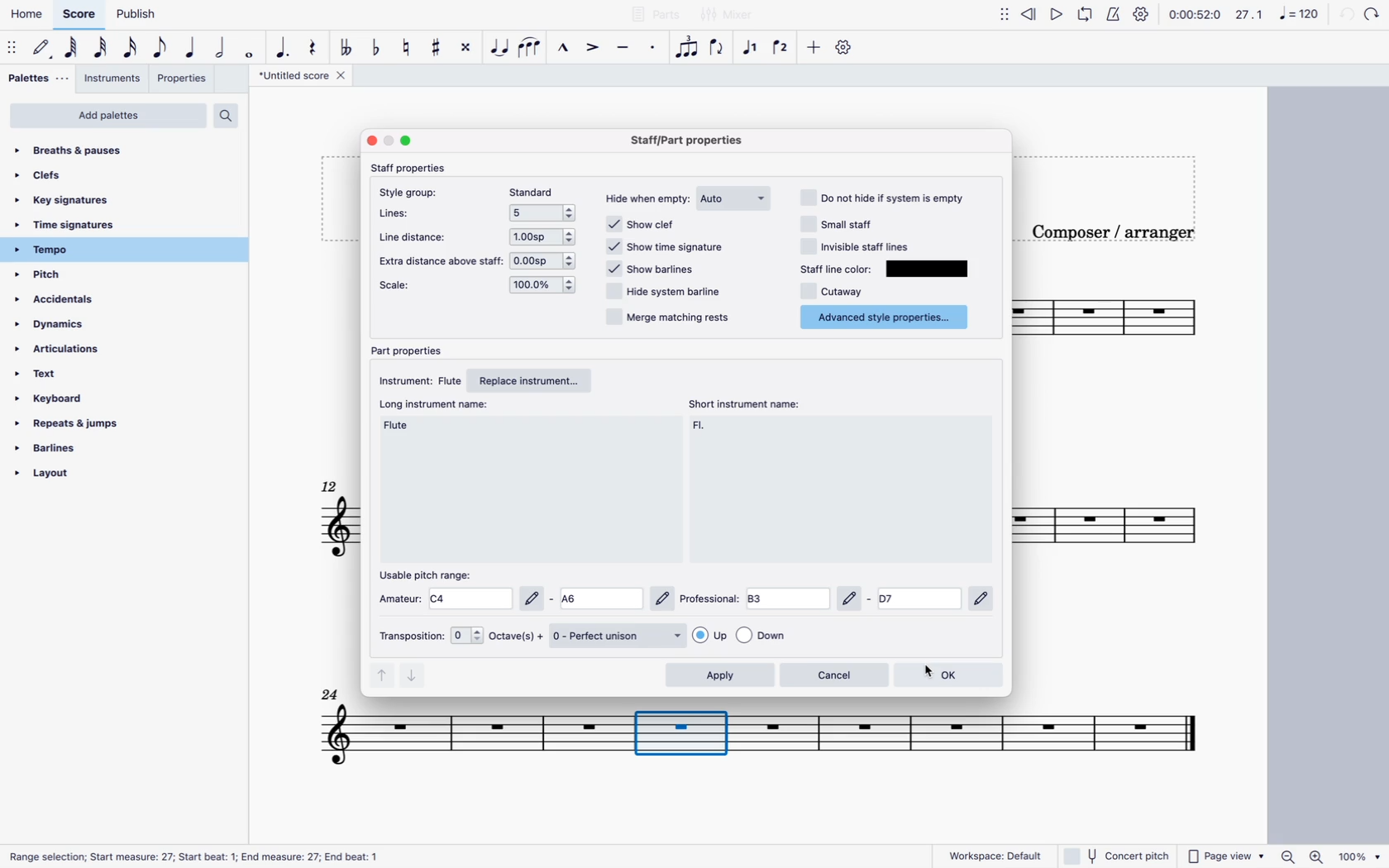 This screenshot has width=1389, height=868. What do you see at coordinates (952, 676) in the screenshot?
I see `ok` at bounding box center [952, 676].